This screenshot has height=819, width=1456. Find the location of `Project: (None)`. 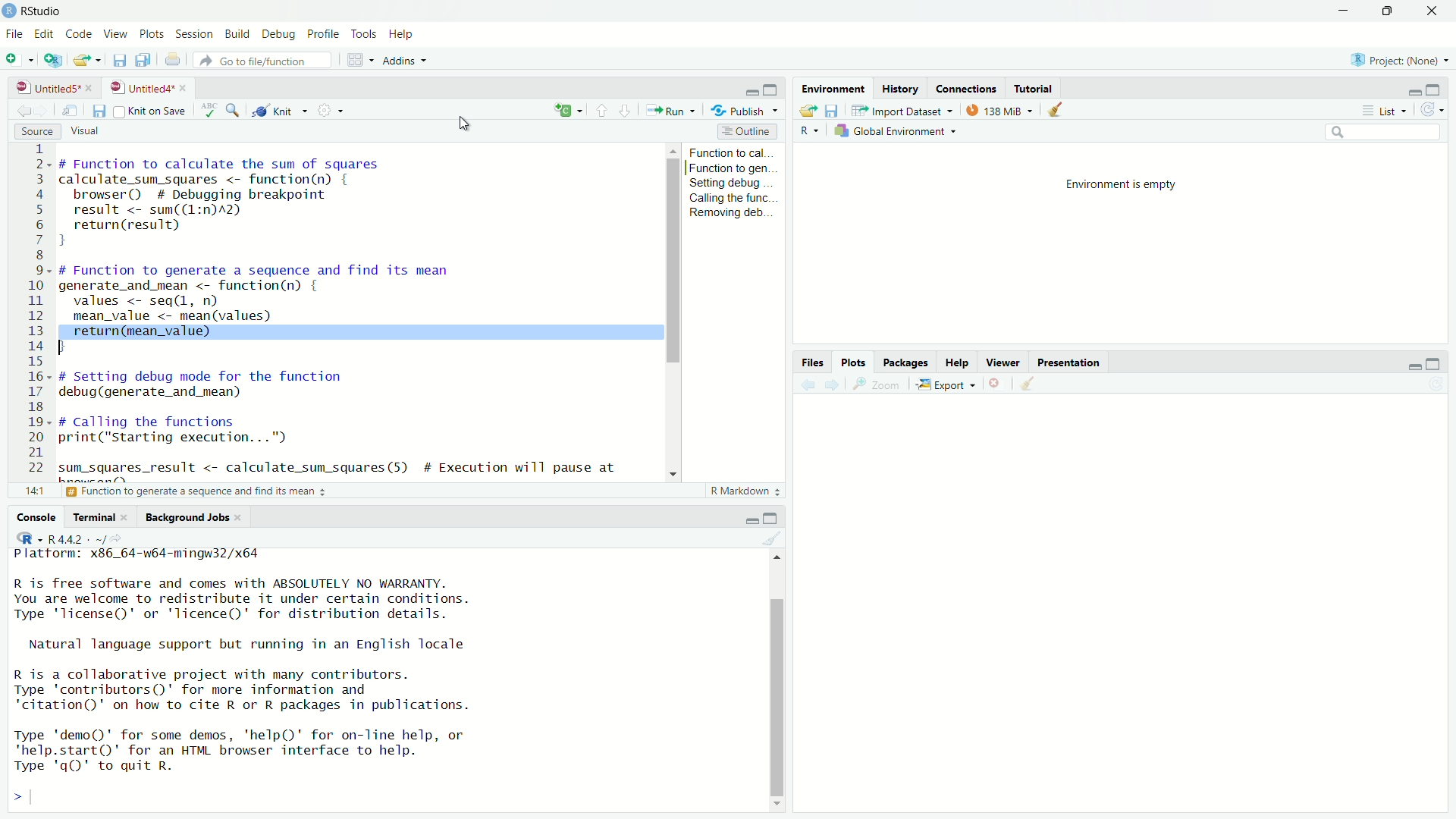

Project: (None) is located at coordinates (1398, 60).